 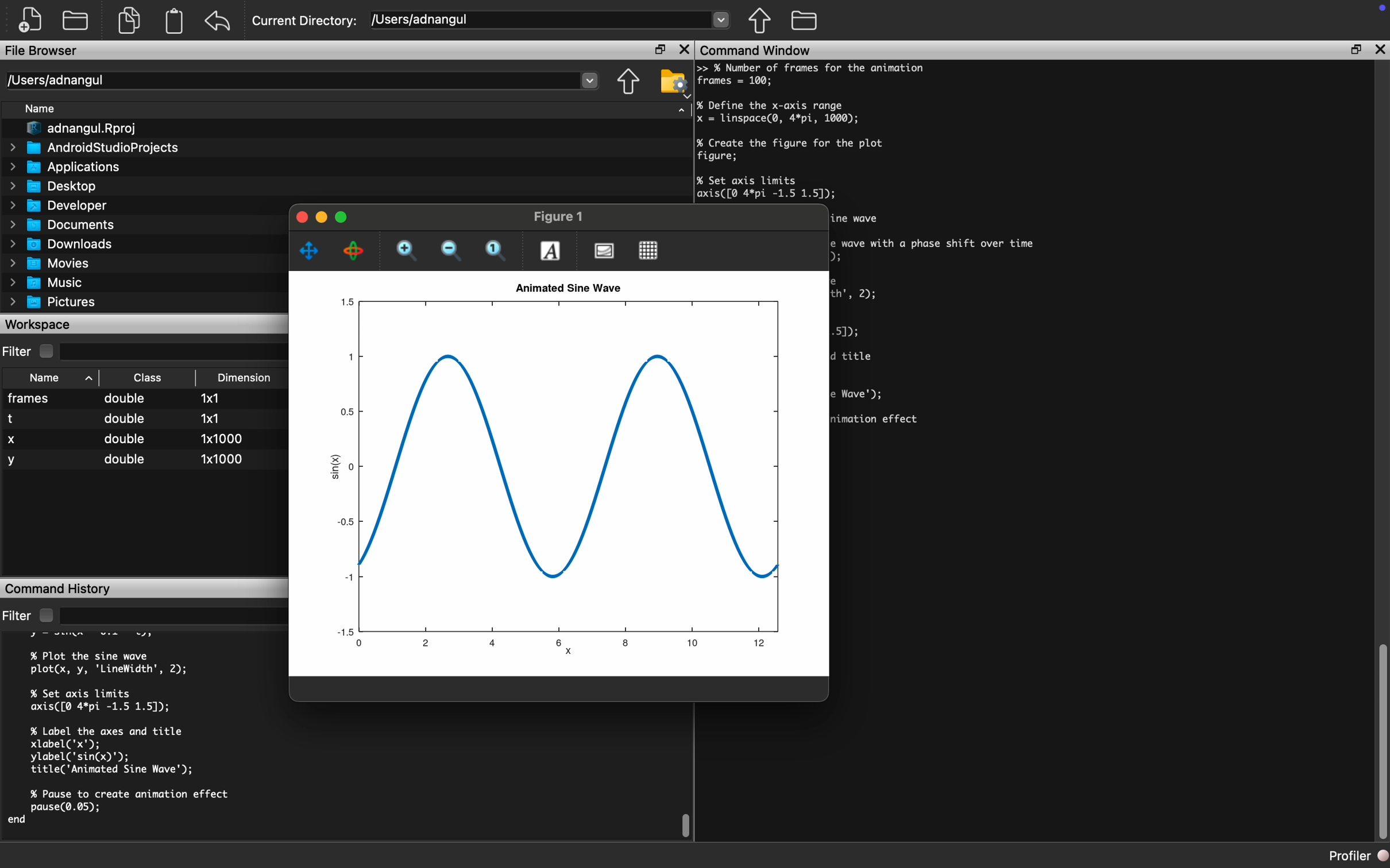 What do you see at coordinates (146, 379) in the screenshot?
I see `Class` at bounding box center [146, 379].